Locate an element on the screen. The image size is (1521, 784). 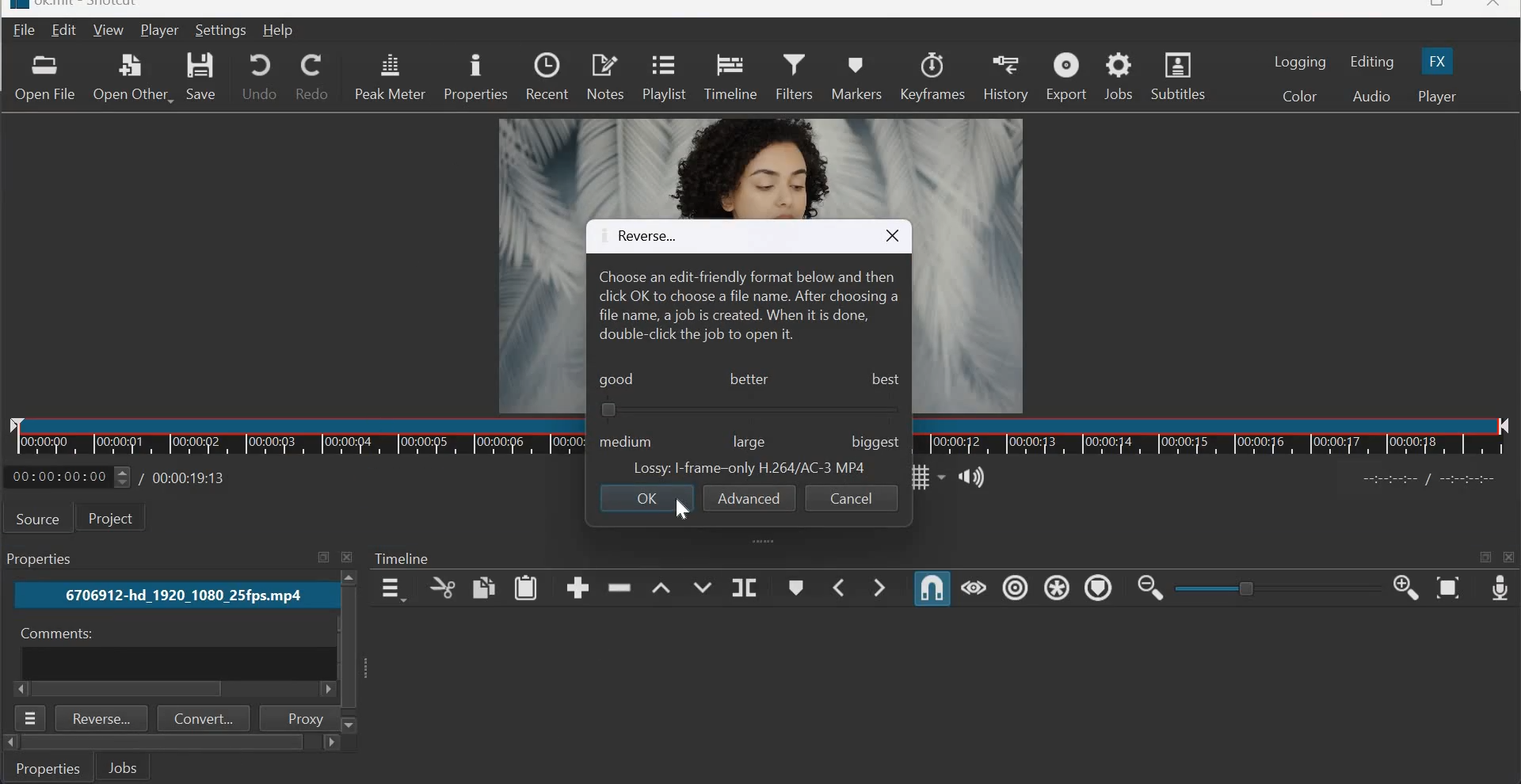
Toggle grid display on the player is located at coordinates (925, 477).